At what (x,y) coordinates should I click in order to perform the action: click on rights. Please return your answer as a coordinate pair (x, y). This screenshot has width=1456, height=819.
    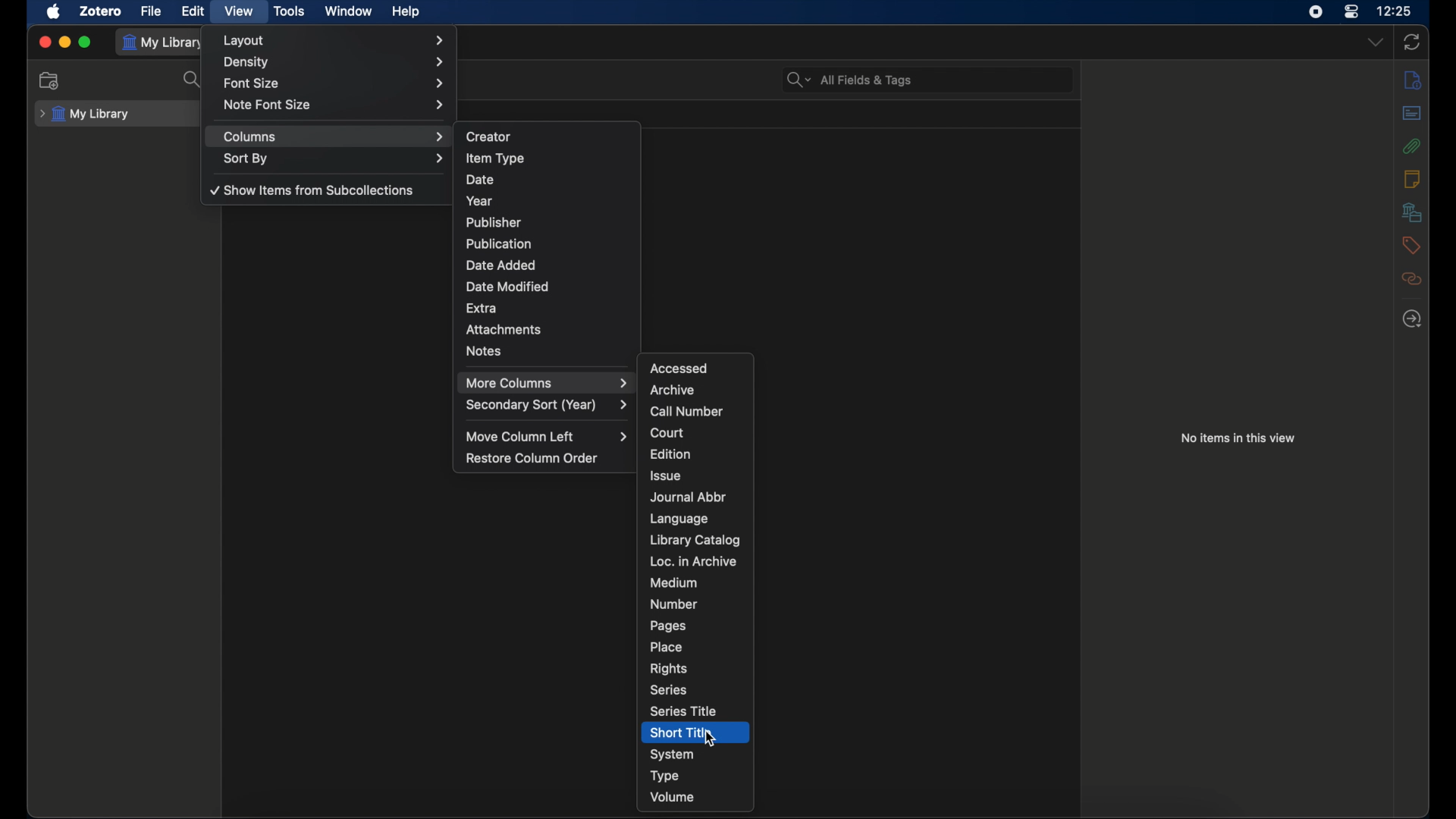
    Looking at the image, I should click on (668, 667).